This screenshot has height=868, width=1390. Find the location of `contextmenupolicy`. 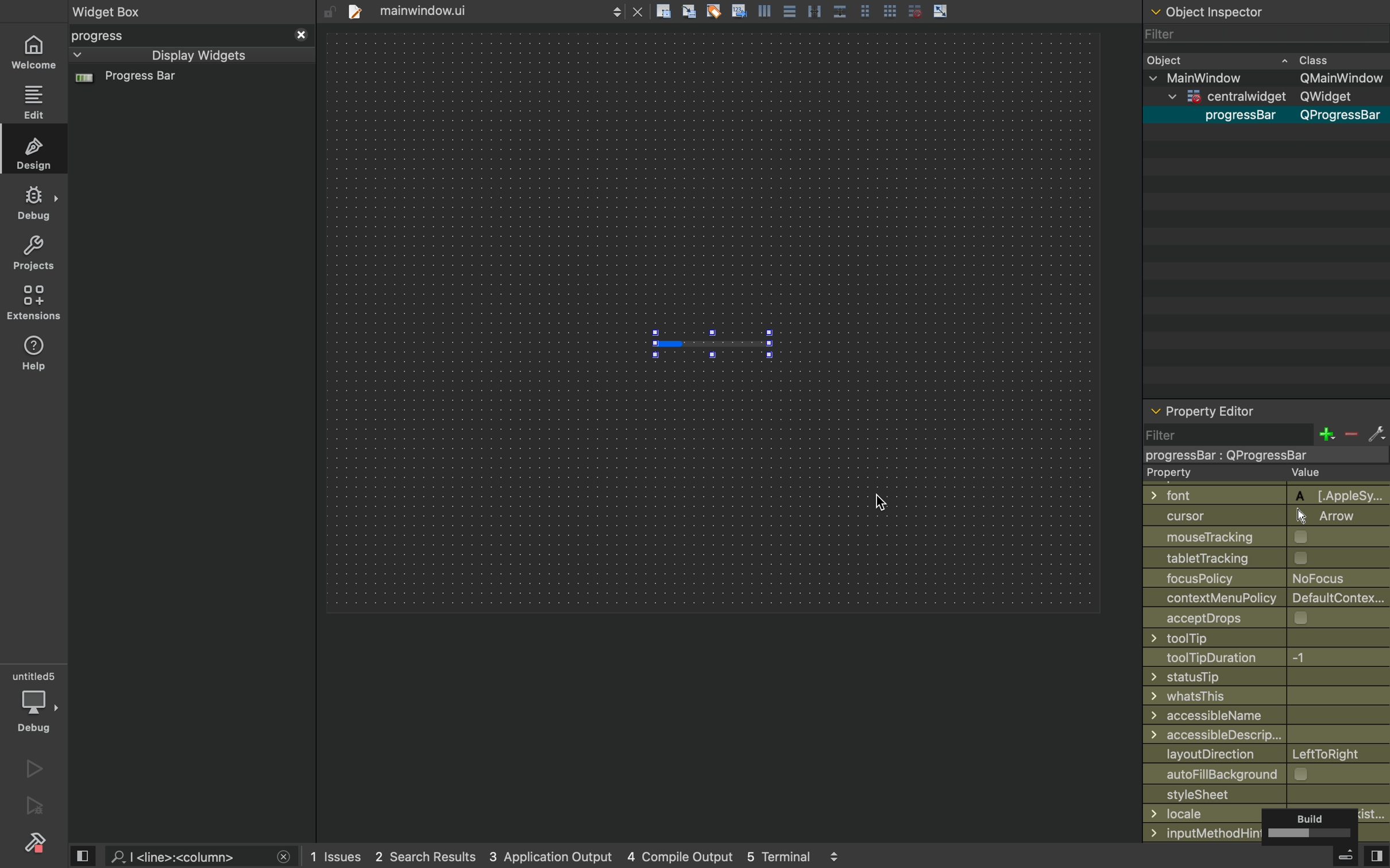

contextmenupolicy is located at coordinates (1268, 597).